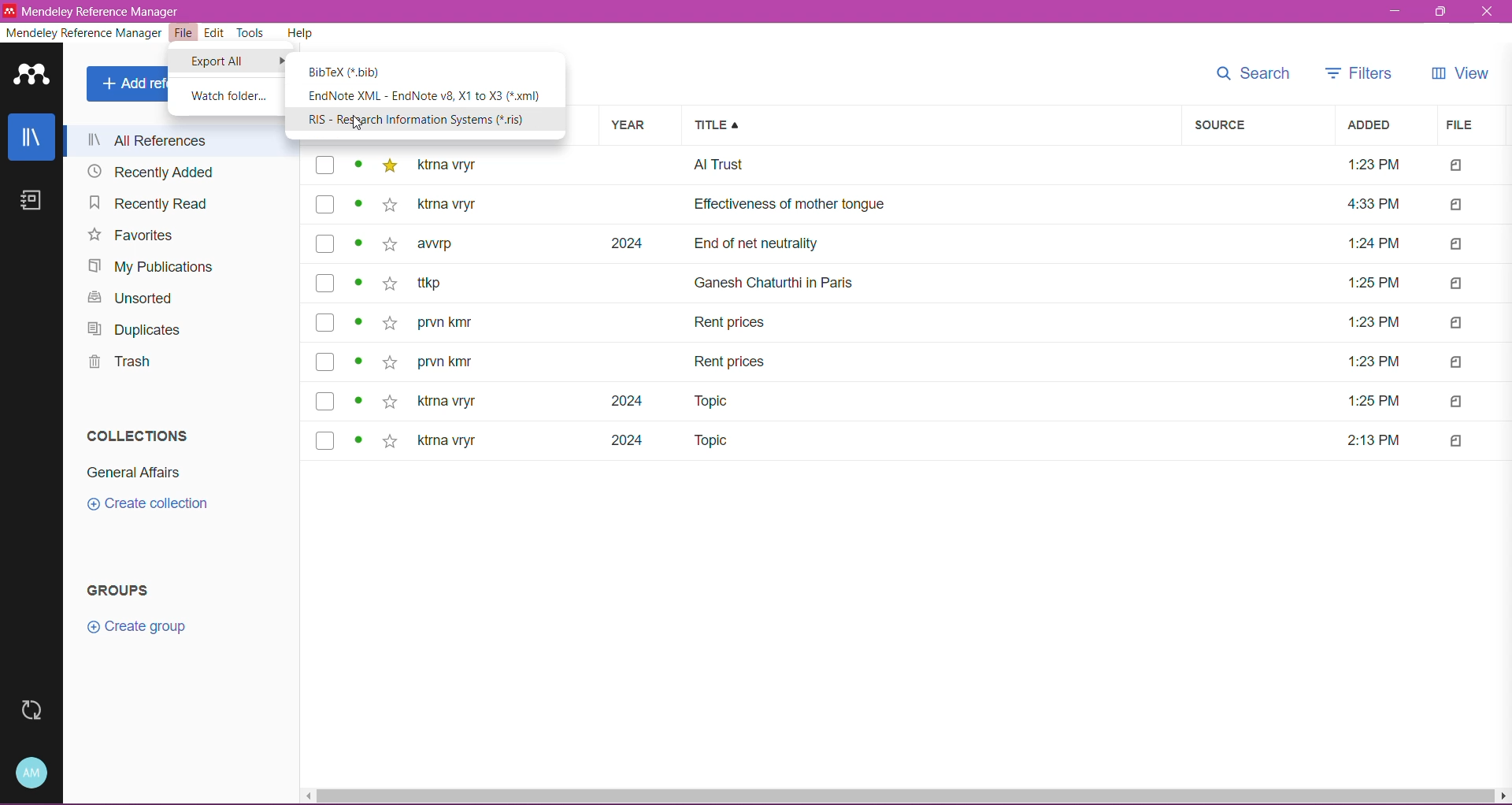  I want to click on ktrna vryr Effectiveness of mother tongue 4:33 PM, so click(917, 204).